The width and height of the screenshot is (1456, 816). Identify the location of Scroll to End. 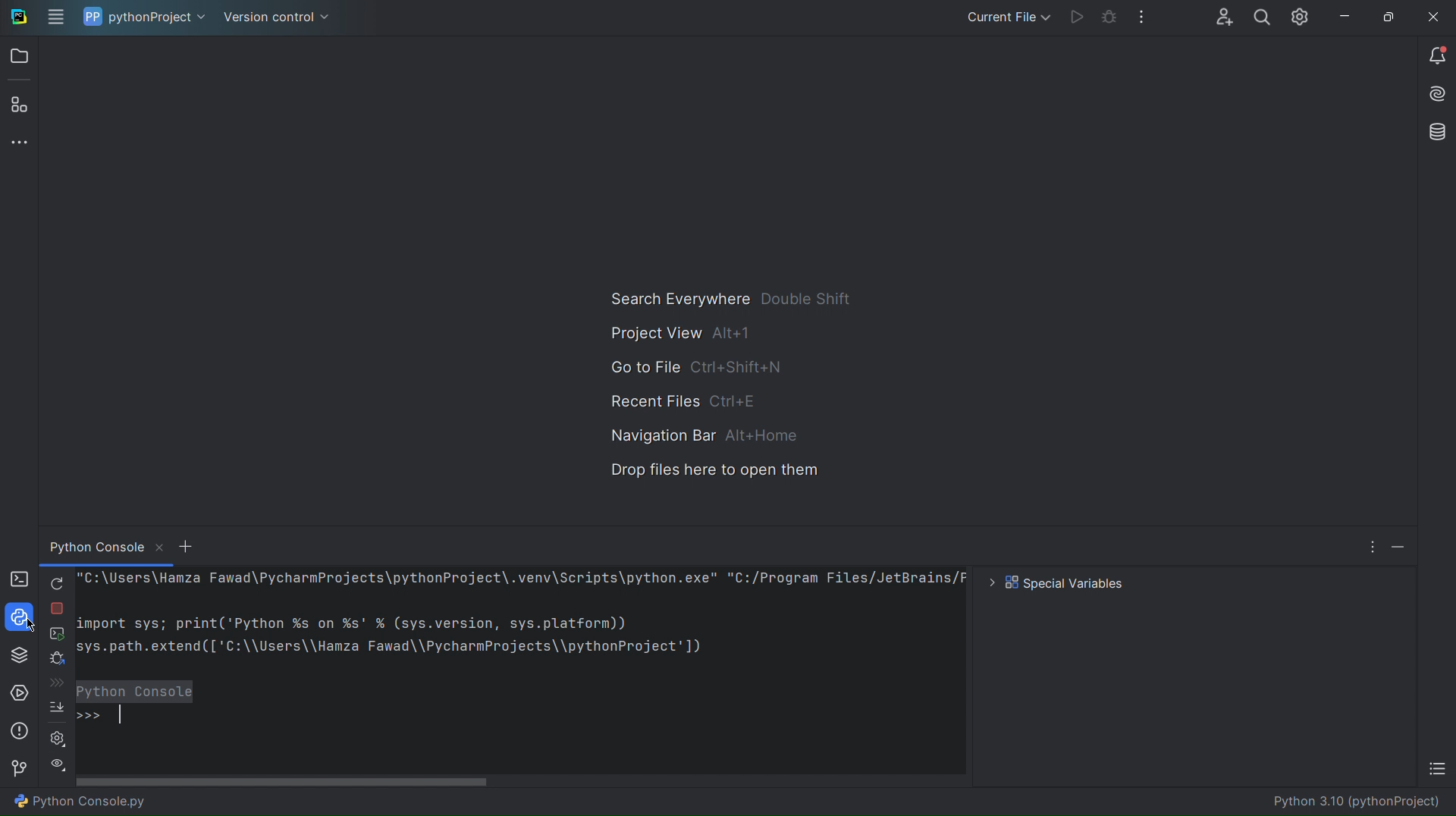
(56, 707).